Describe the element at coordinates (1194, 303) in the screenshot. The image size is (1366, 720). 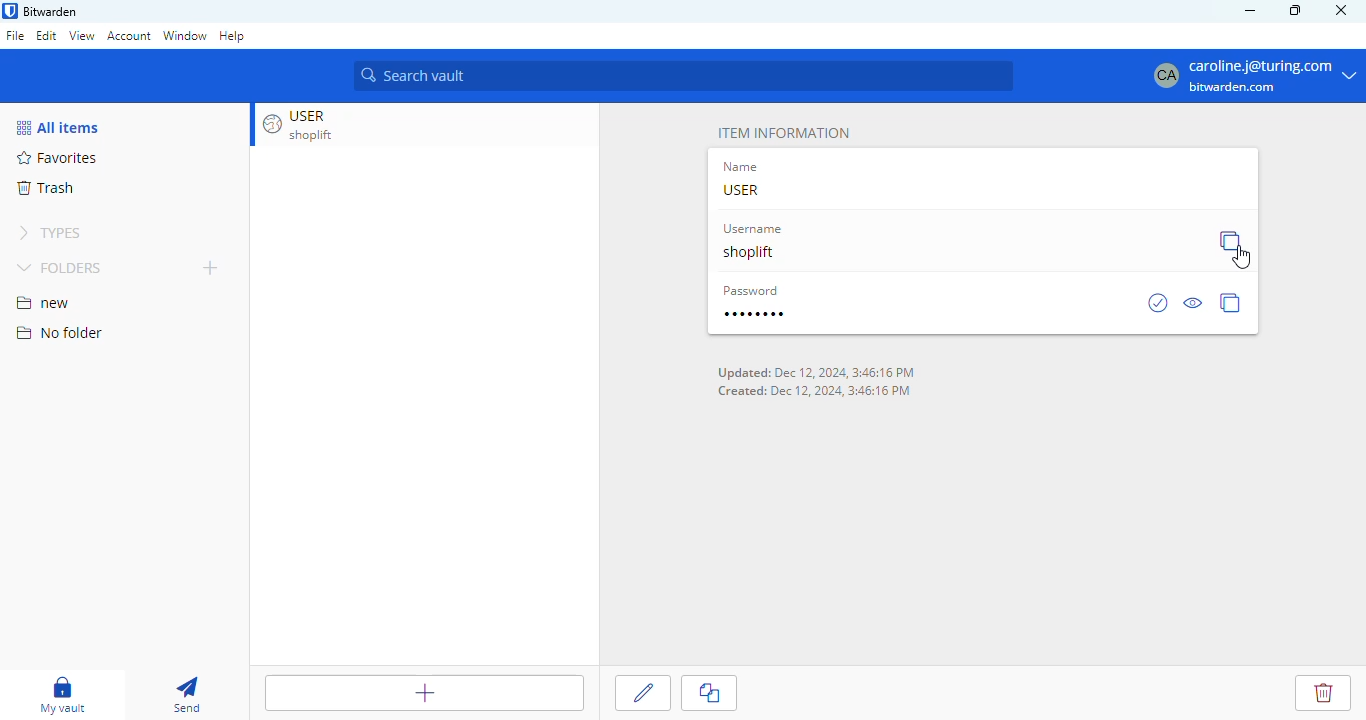
I see `toggle visibility` at that location.